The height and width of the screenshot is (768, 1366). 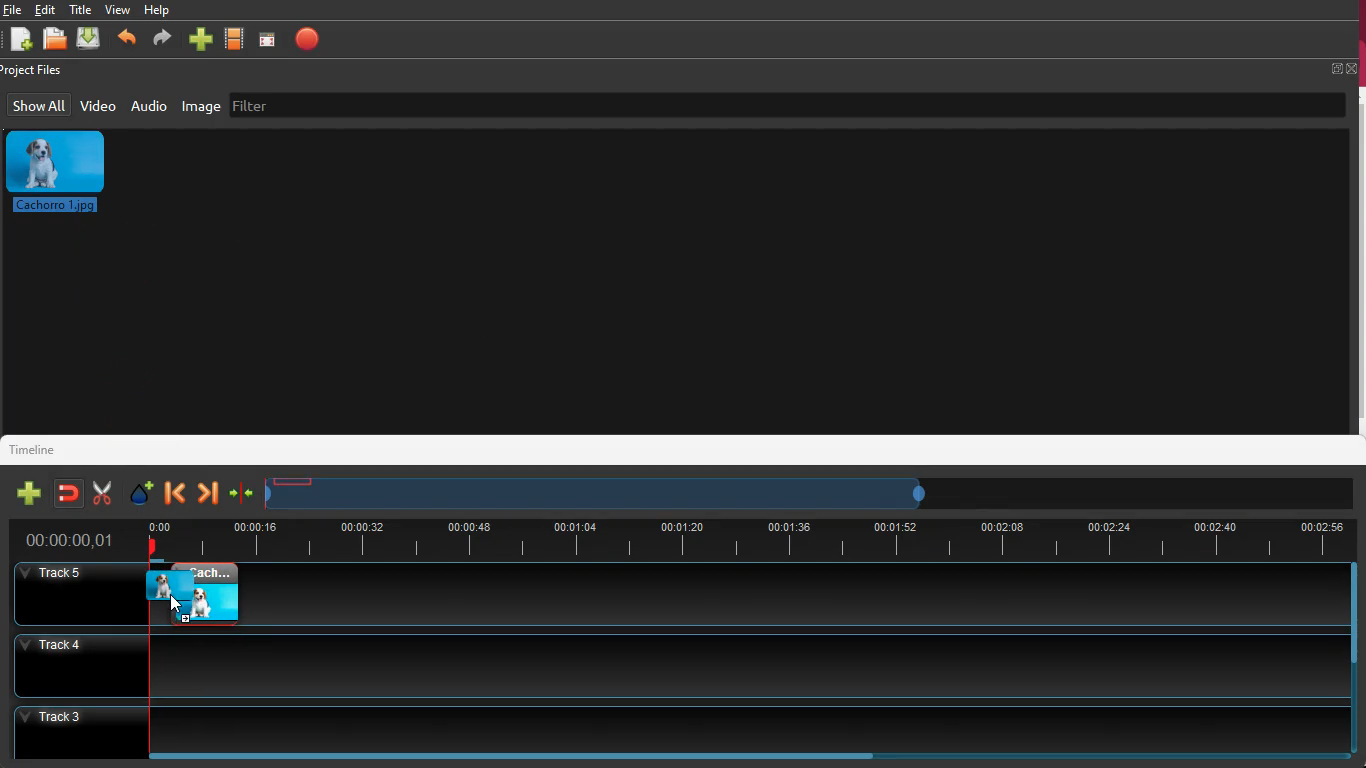 I want to click on record, so click(x=308, y=39).